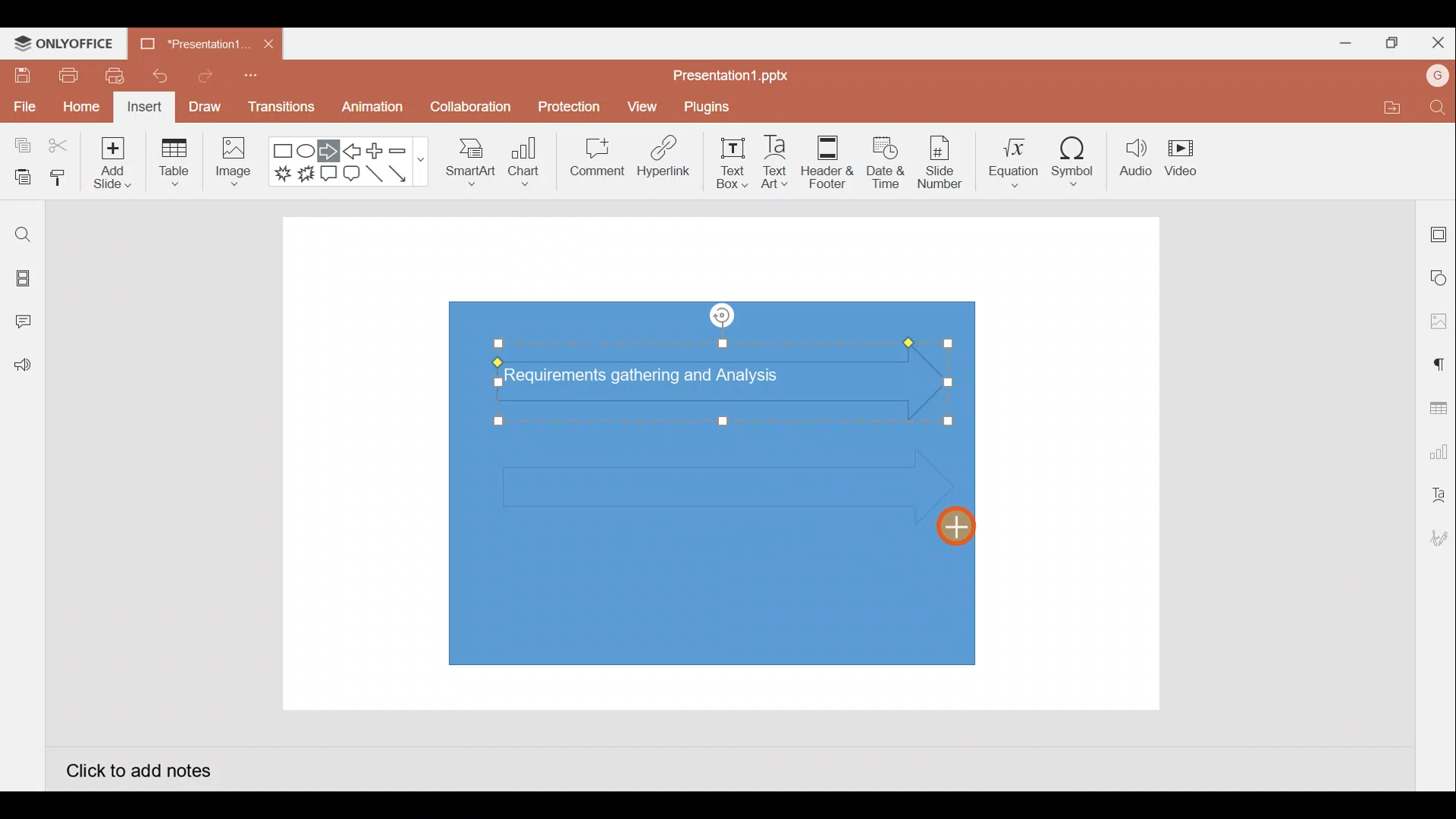 Image resolution: width=1456 pixels, height=819 pixels. I want to click on Presentation1., so click(190, 42).